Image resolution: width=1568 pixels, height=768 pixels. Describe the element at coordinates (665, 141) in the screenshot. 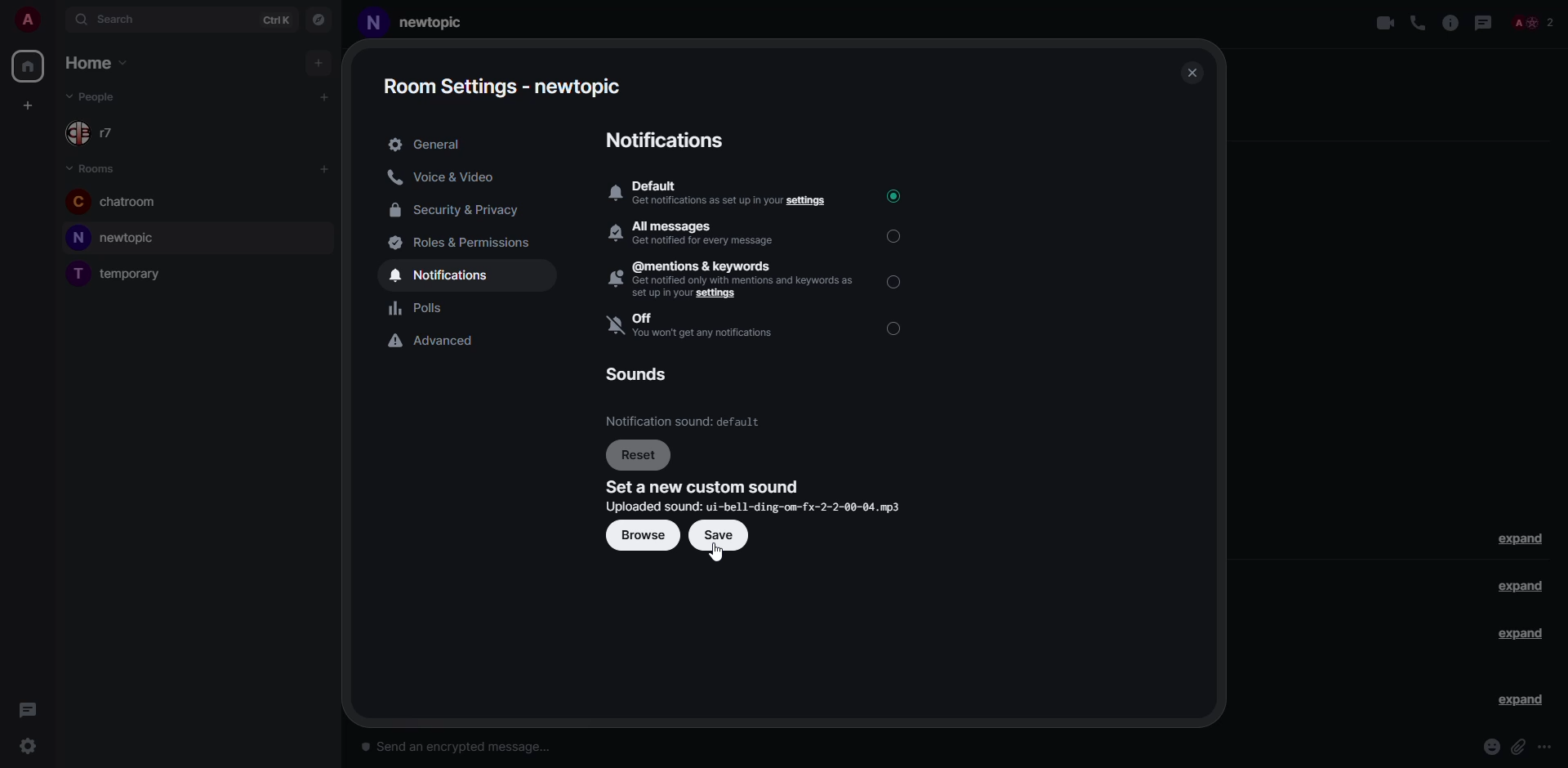

I see `notifications` at that location.